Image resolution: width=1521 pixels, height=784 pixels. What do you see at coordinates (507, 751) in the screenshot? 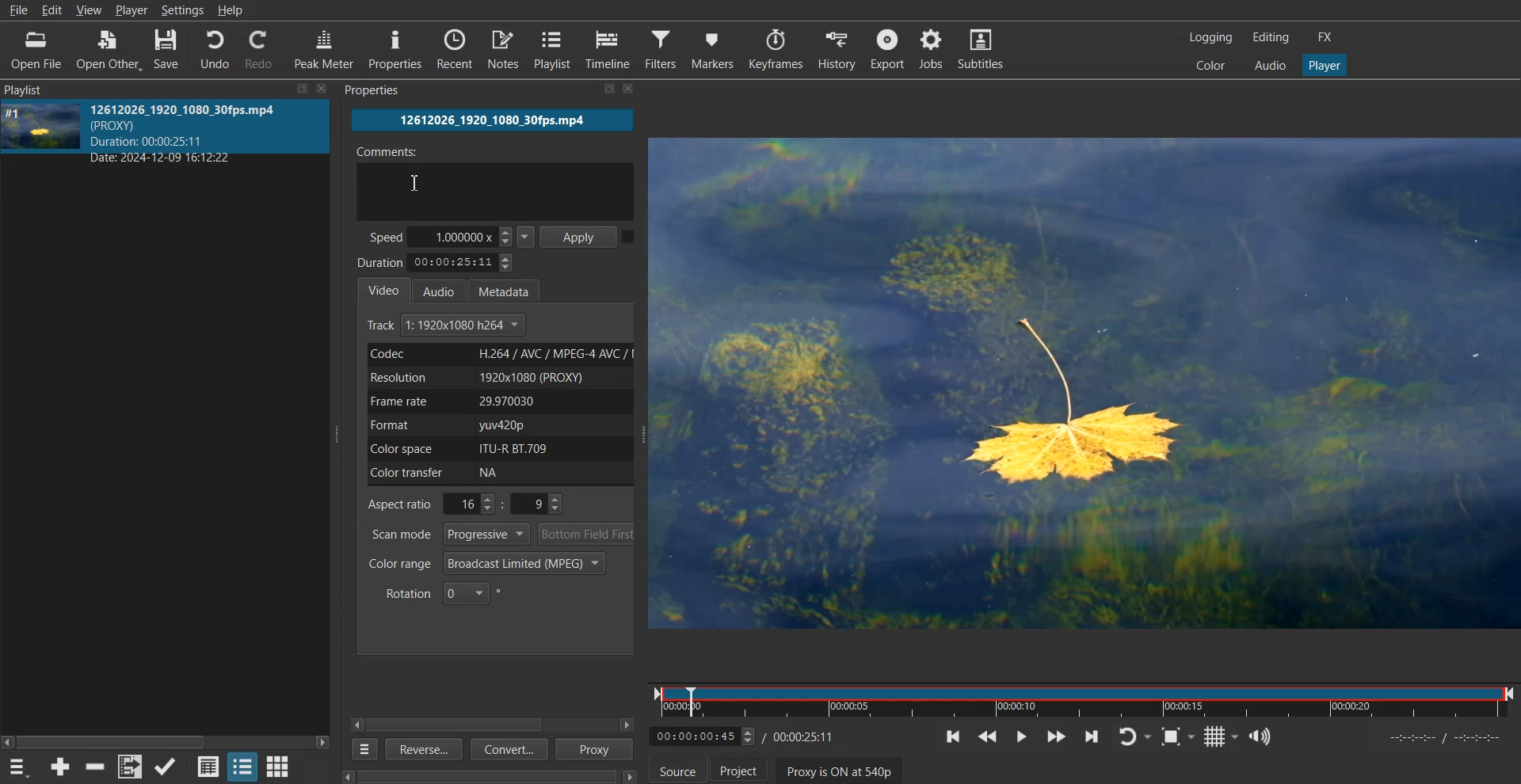
I see `Convert` at bounding box center [507, 751].